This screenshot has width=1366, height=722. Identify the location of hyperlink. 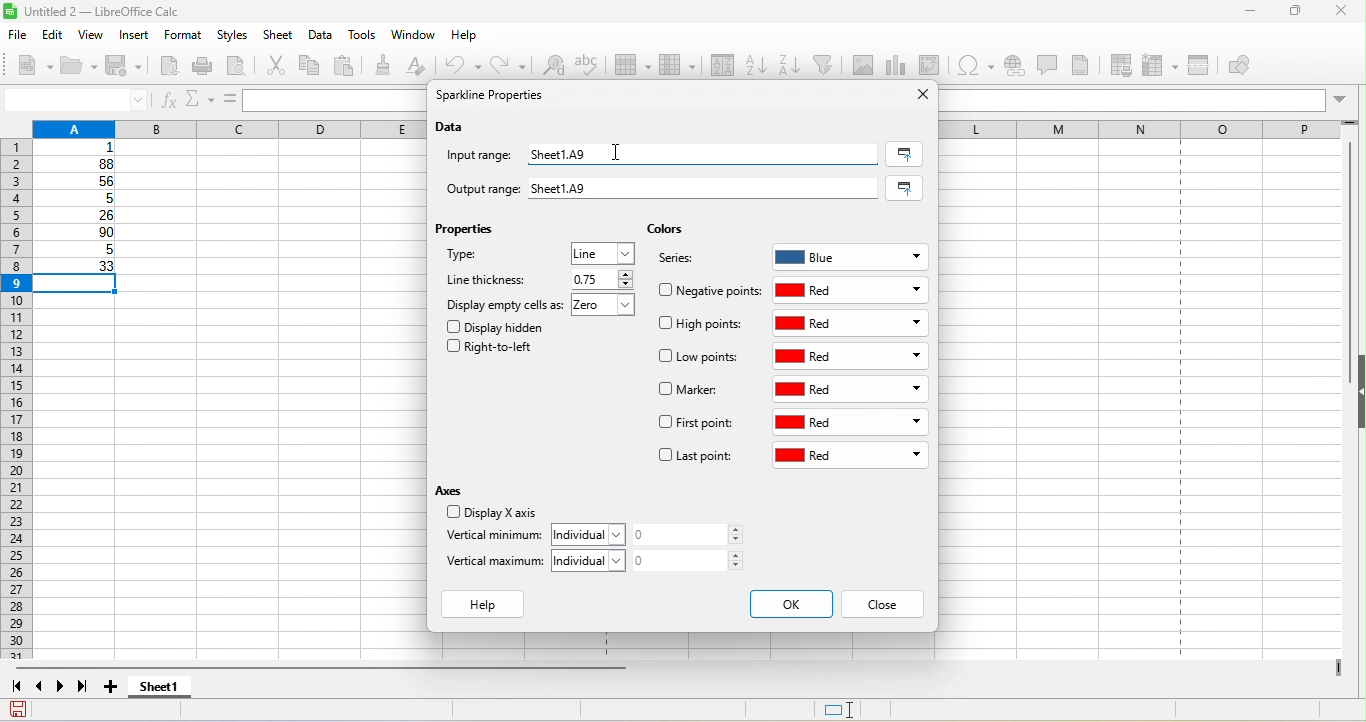
(1016, 68).